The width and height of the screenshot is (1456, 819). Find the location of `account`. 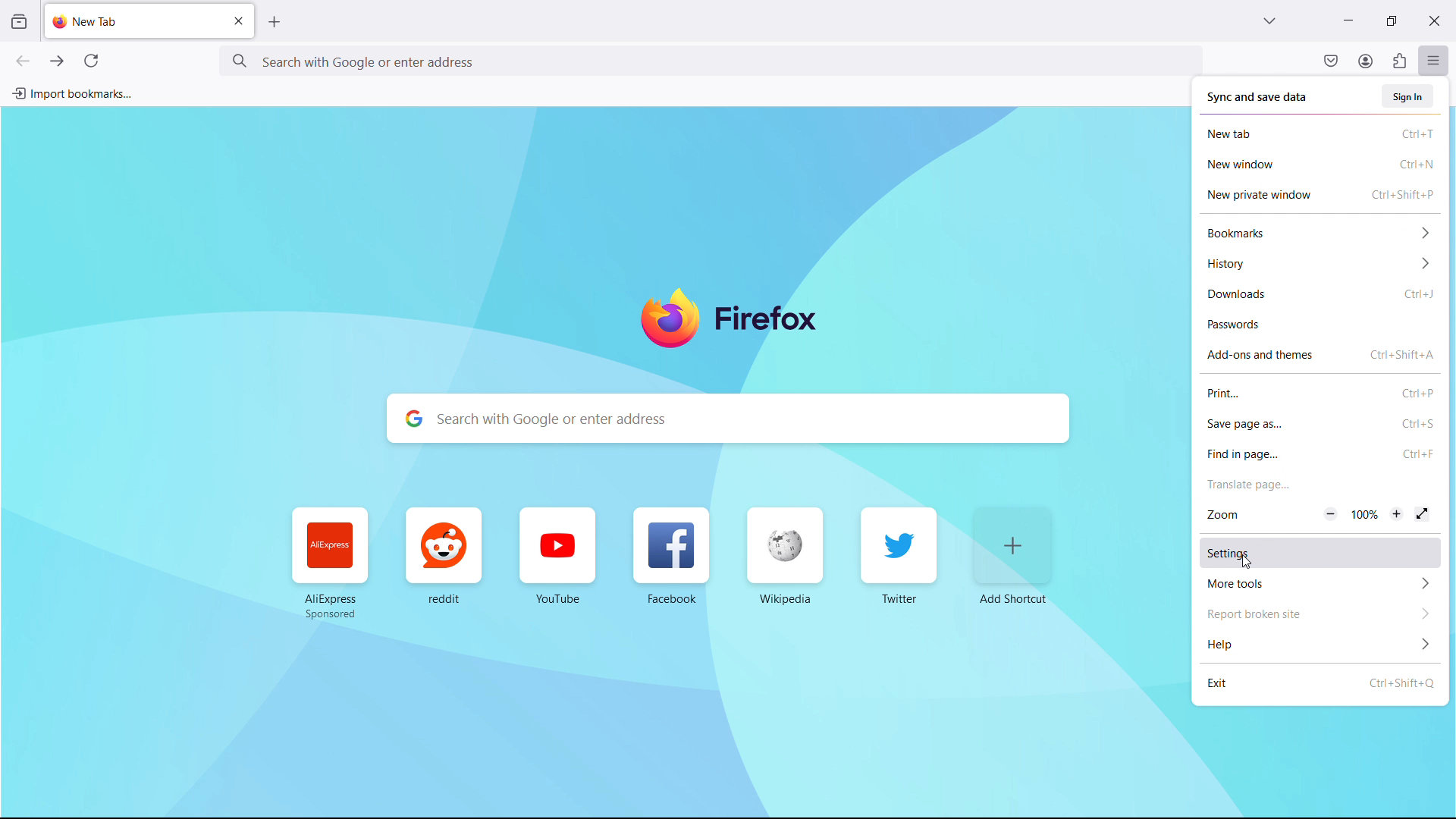

account is located at coordinates (1365, 60).